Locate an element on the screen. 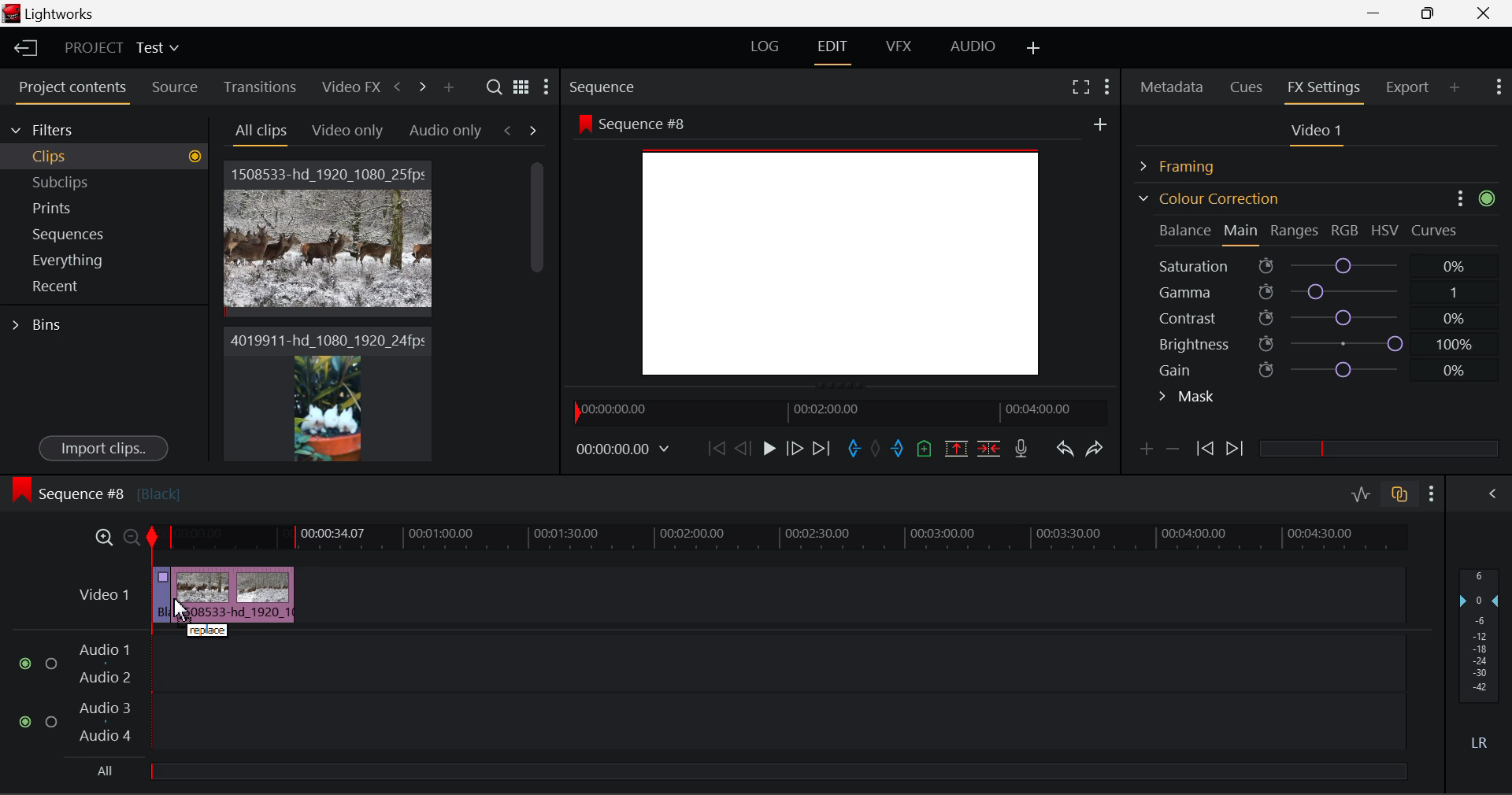  Project Timeline Navigator is located at coordinates (838, 412).